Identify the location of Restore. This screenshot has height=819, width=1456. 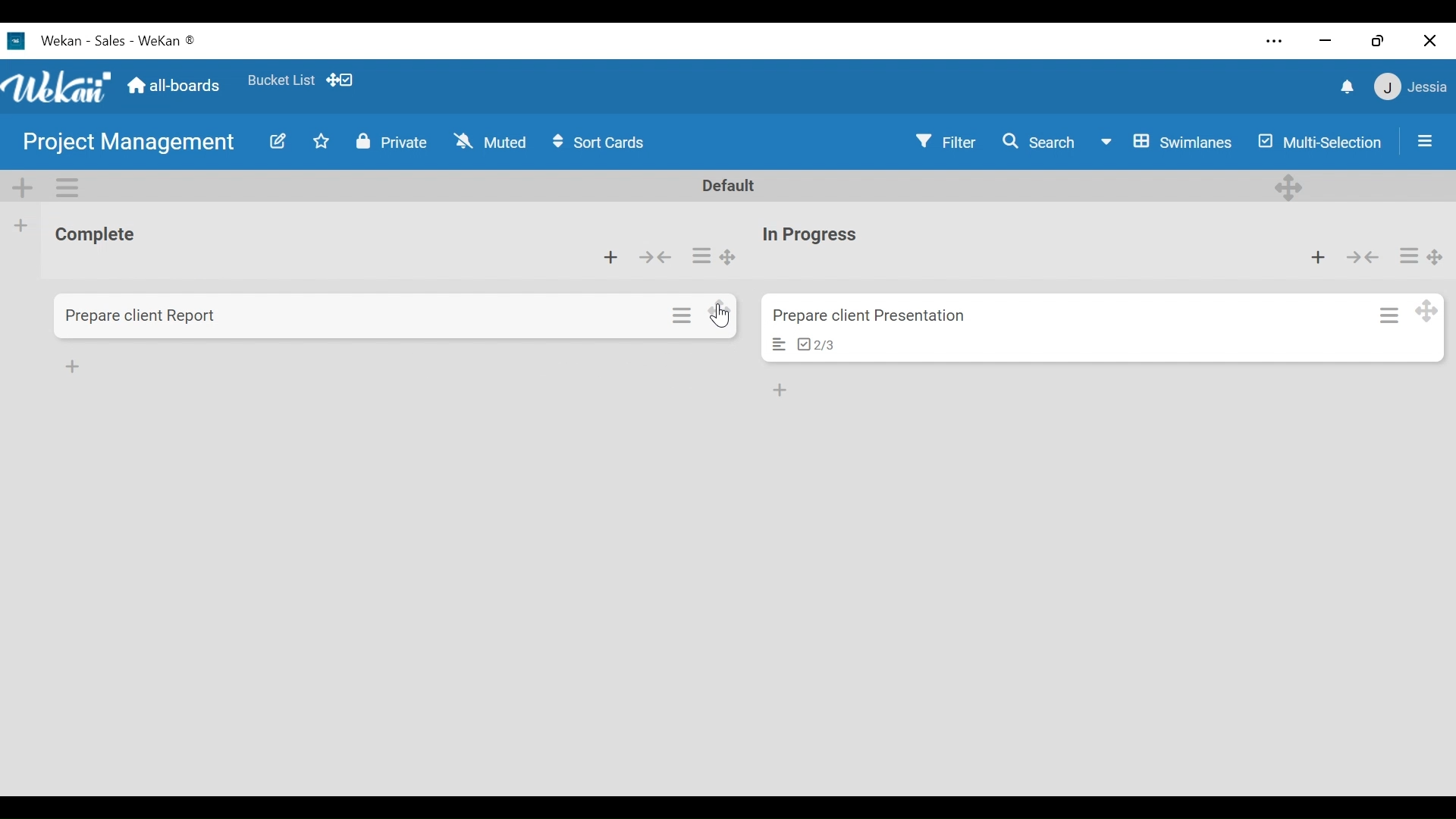
(1373, 37).